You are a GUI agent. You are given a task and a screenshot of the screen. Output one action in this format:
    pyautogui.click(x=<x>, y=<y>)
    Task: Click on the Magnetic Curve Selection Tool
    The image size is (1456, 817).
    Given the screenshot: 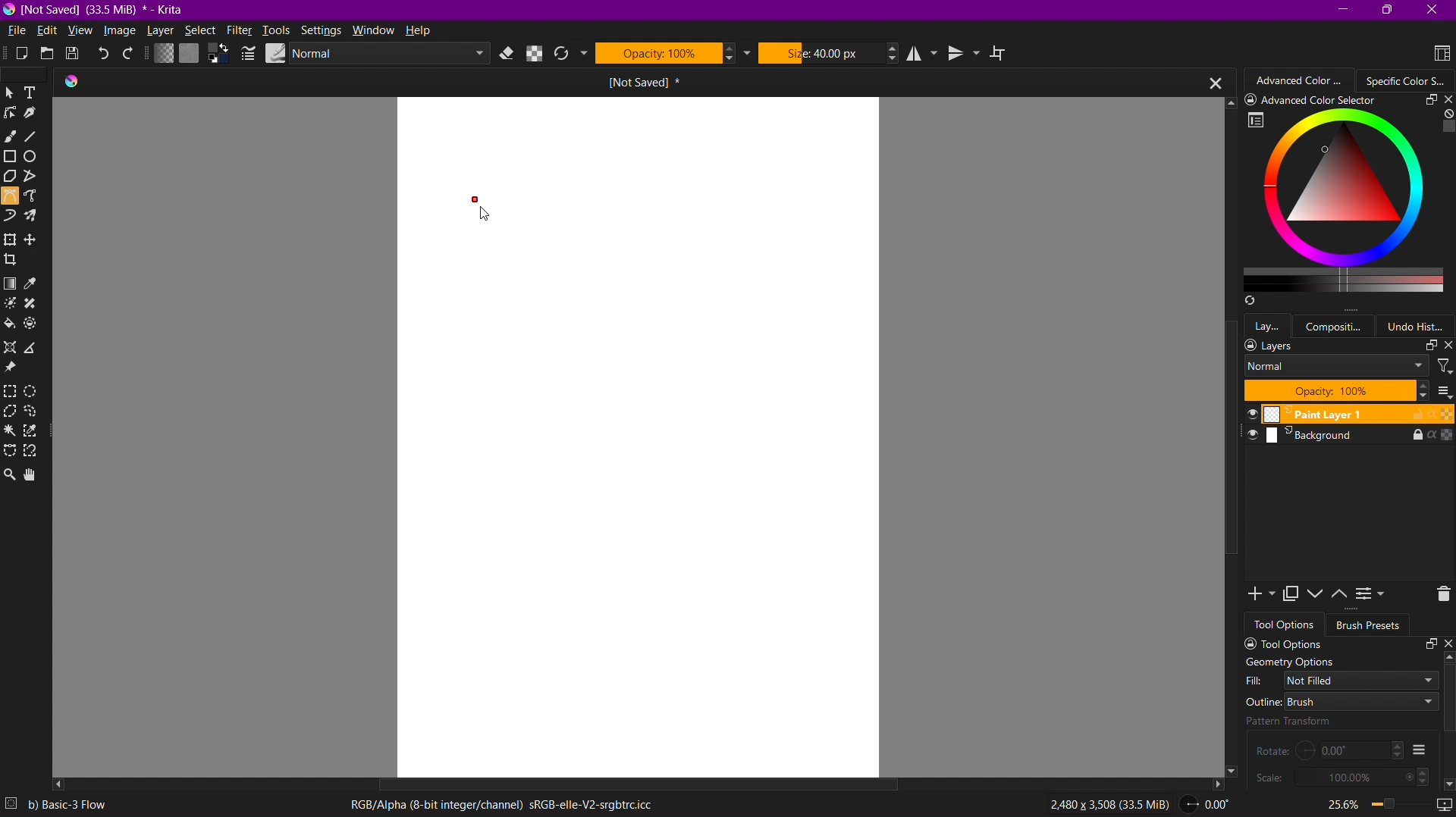 What is the action you would take?
    pyautogui.click(x=35, y=452)
    